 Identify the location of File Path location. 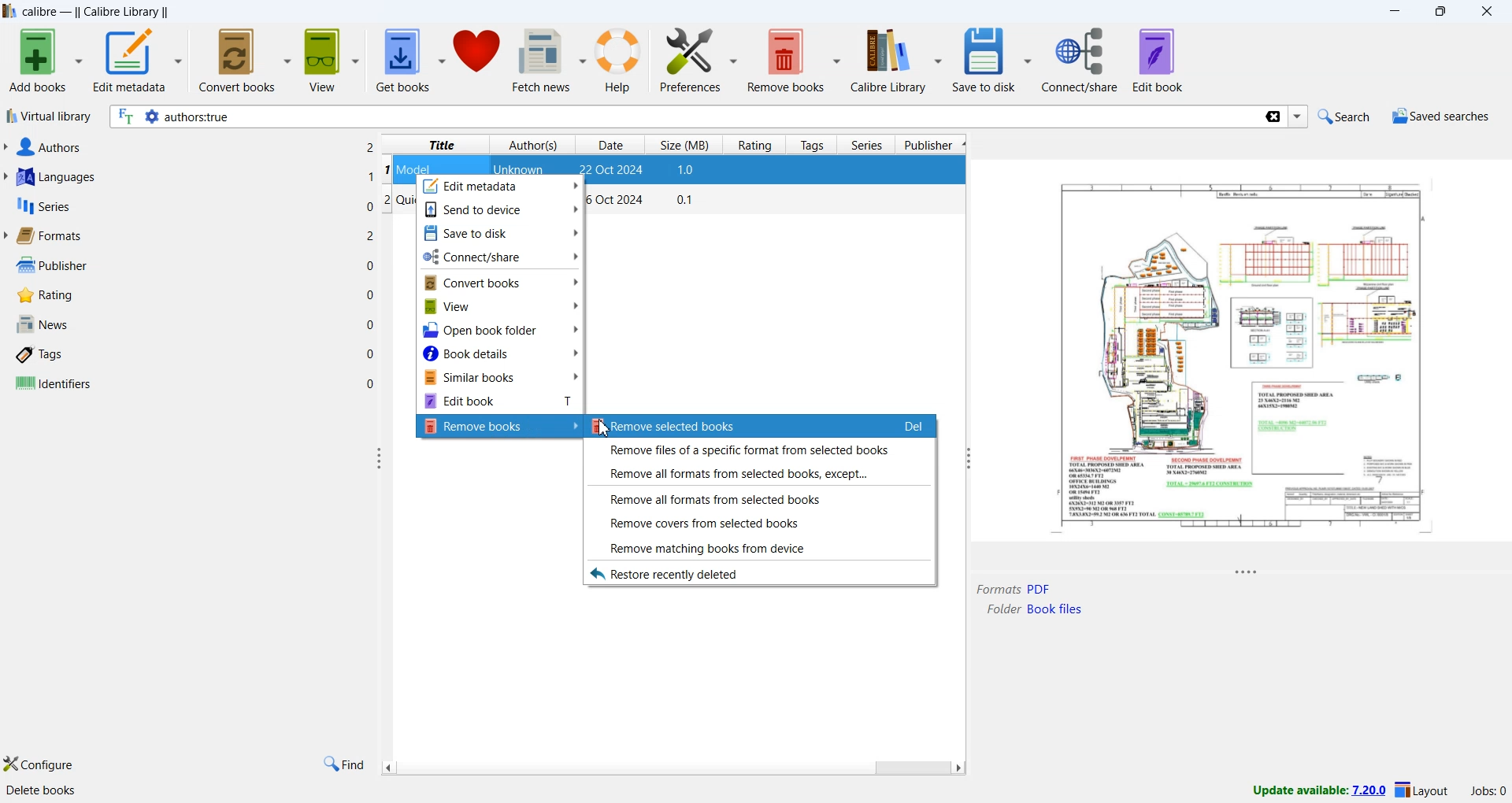
(1034, 609).